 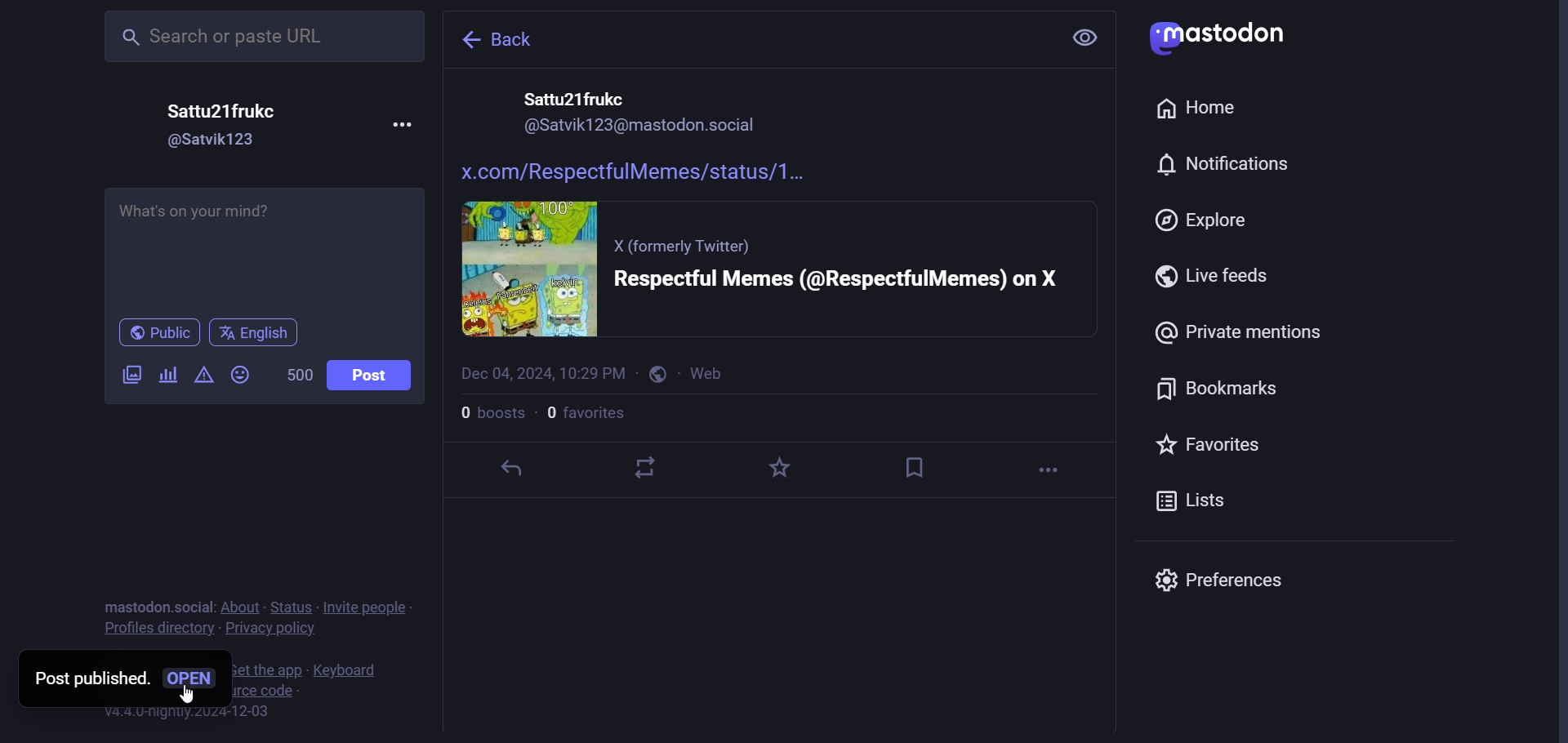 I want to click on Preferences, so click(x=1222, y=580).